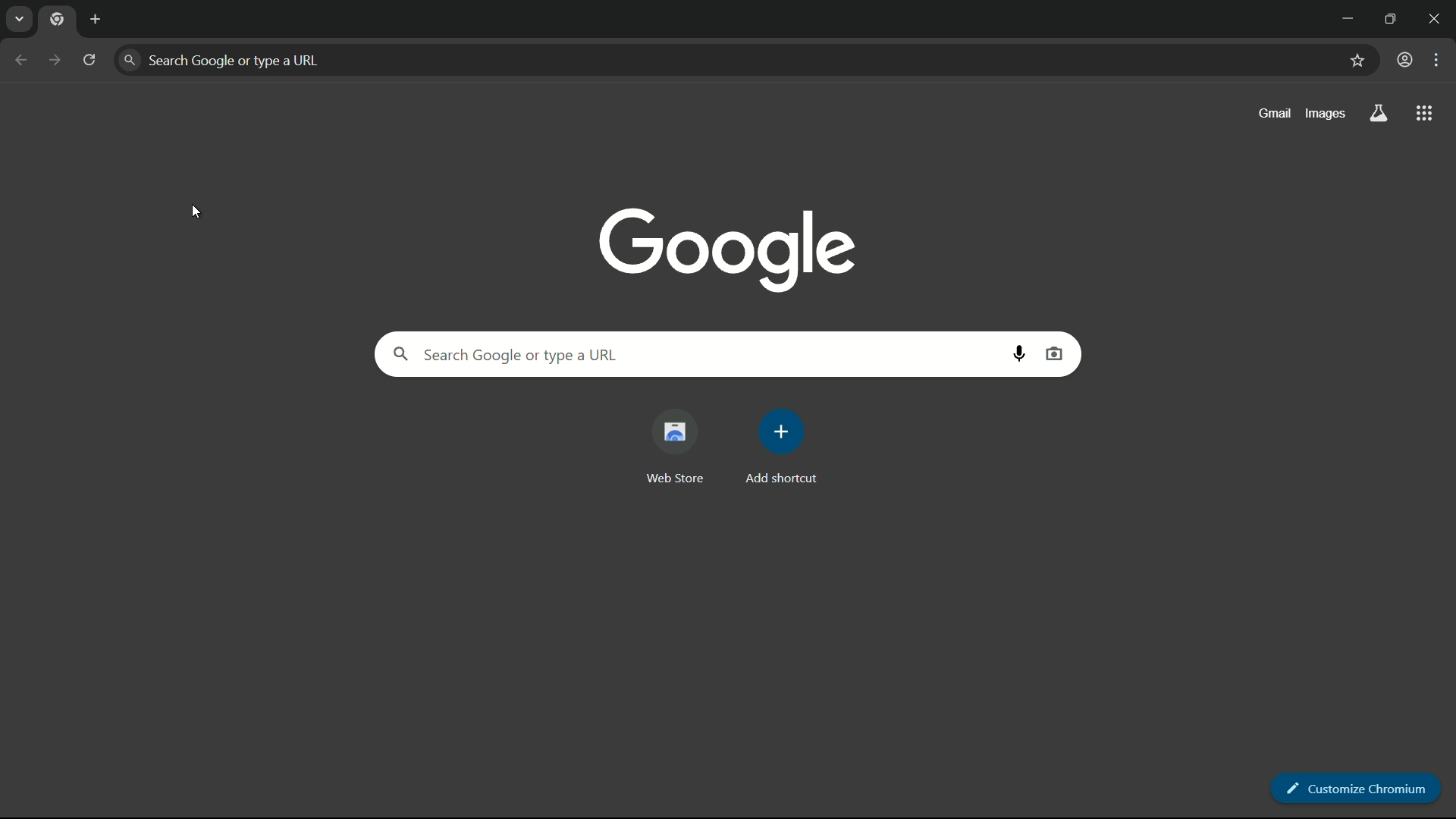 This screenshot has height=819, width=1456. Describe the element at coordinates (729, 60) in the screenshot. I see `search google or type a url` at that location.